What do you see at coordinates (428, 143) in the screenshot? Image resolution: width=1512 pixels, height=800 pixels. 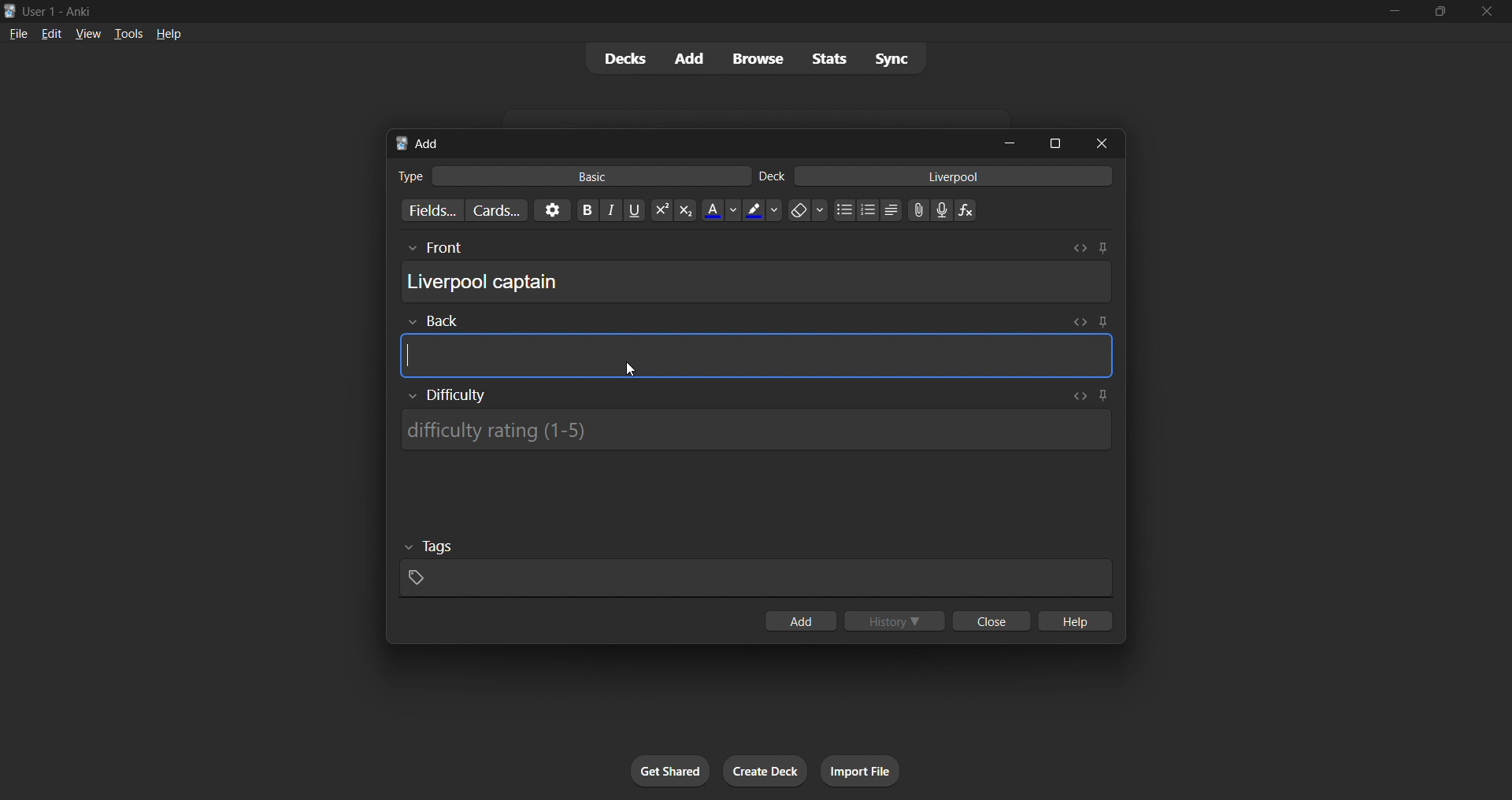 I see `add title bar` at bounding box center [428, 143].